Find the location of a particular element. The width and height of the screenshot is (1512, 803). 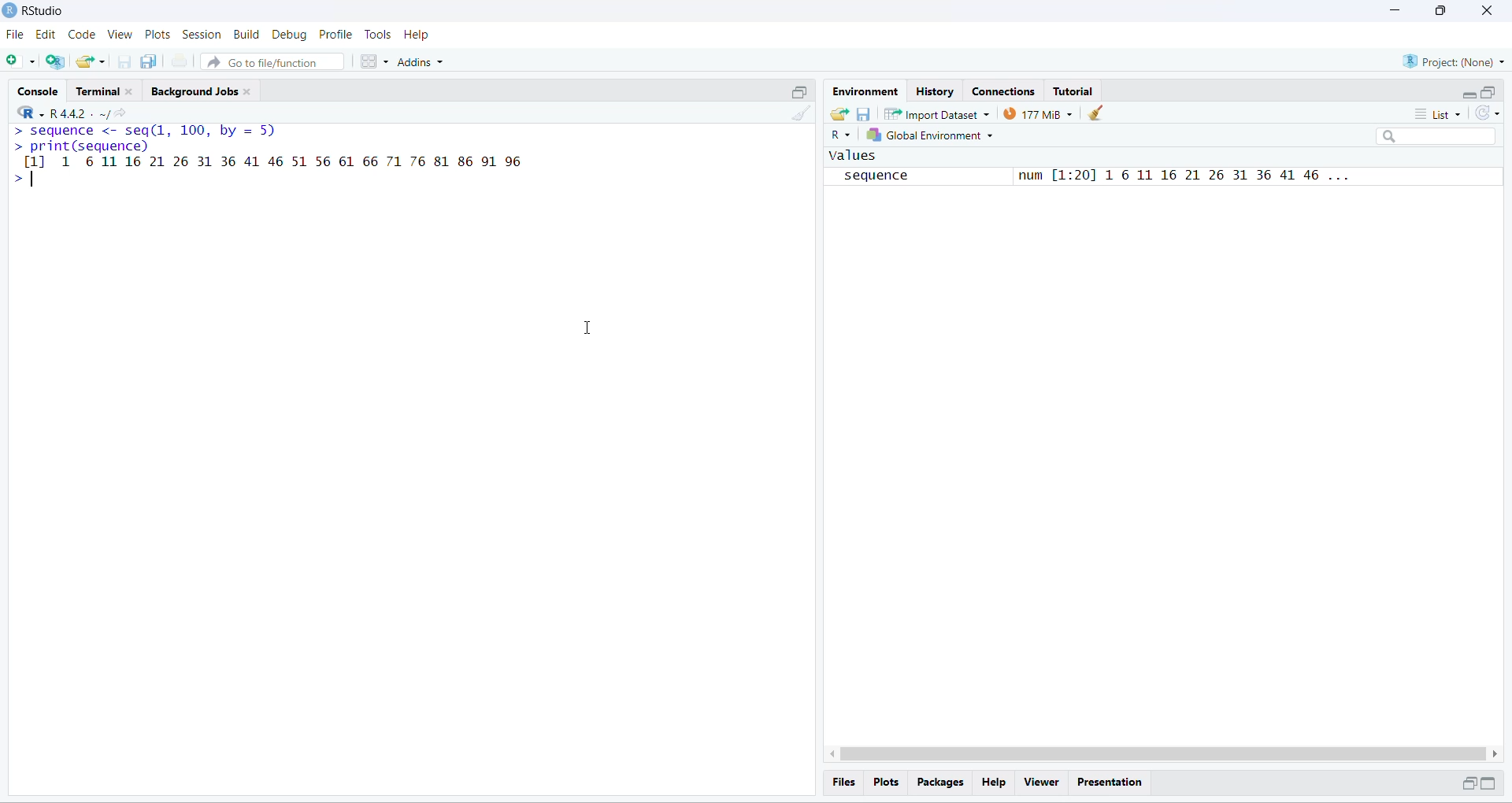

scroll right is located at coordinates (1496, 754).